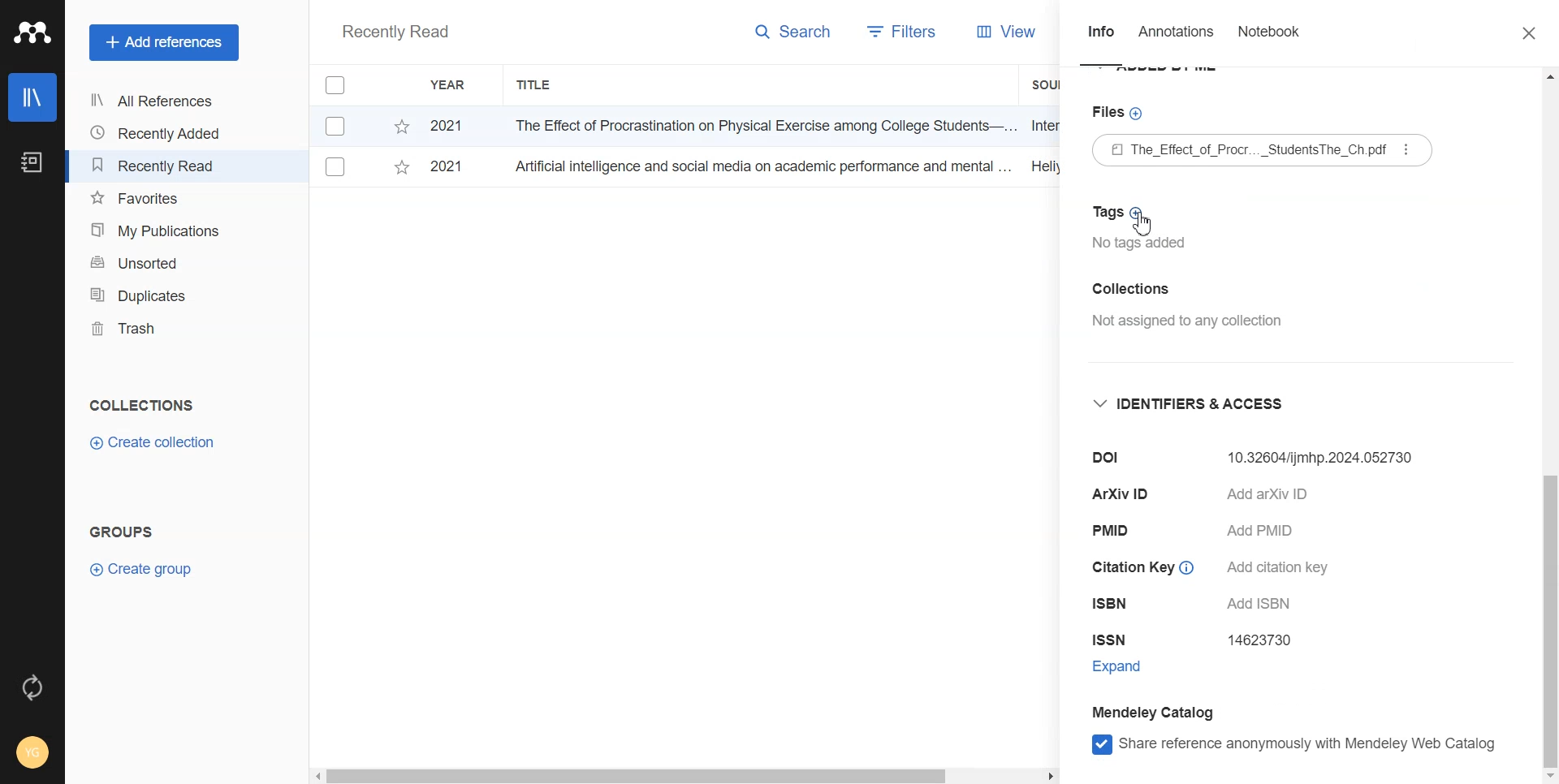 The width and height of the screenshot is (1559, 784). Describe the element at coordinates (160, 199) in the screenshot. I see `Favourites` at that location.